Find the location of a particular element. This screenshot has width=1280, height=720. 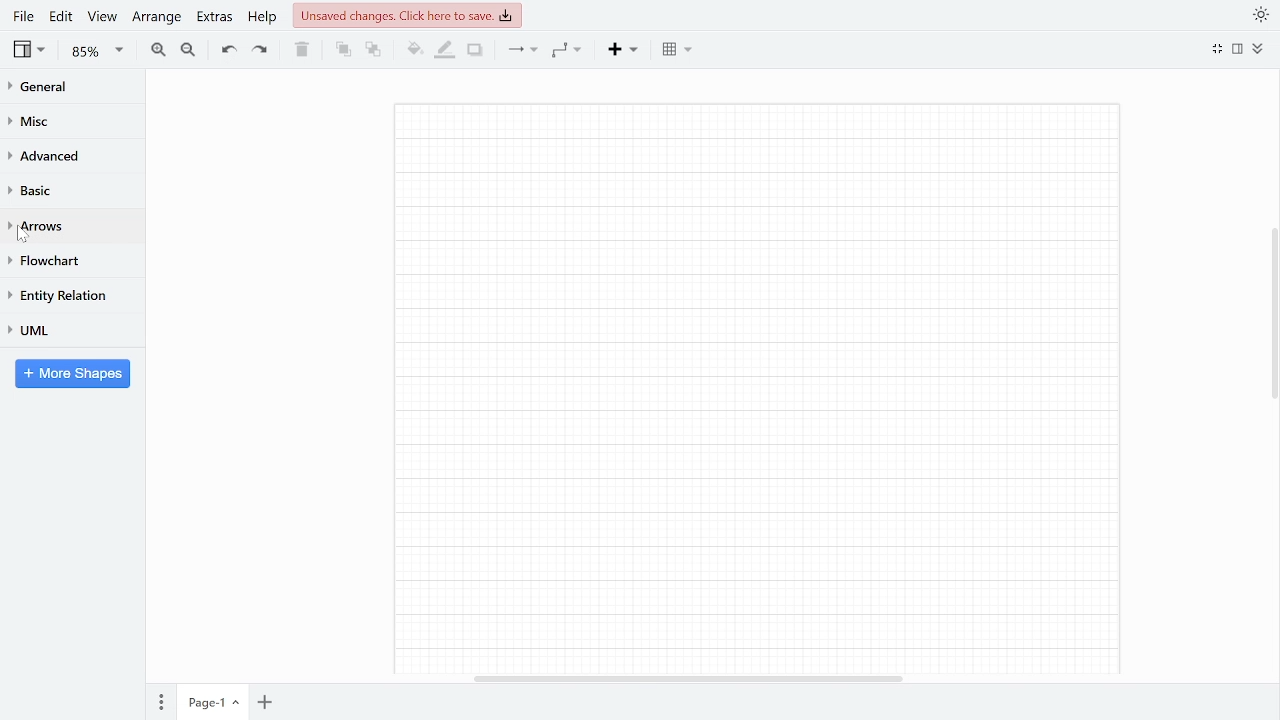

Pages is located at coordinates (161, 700).